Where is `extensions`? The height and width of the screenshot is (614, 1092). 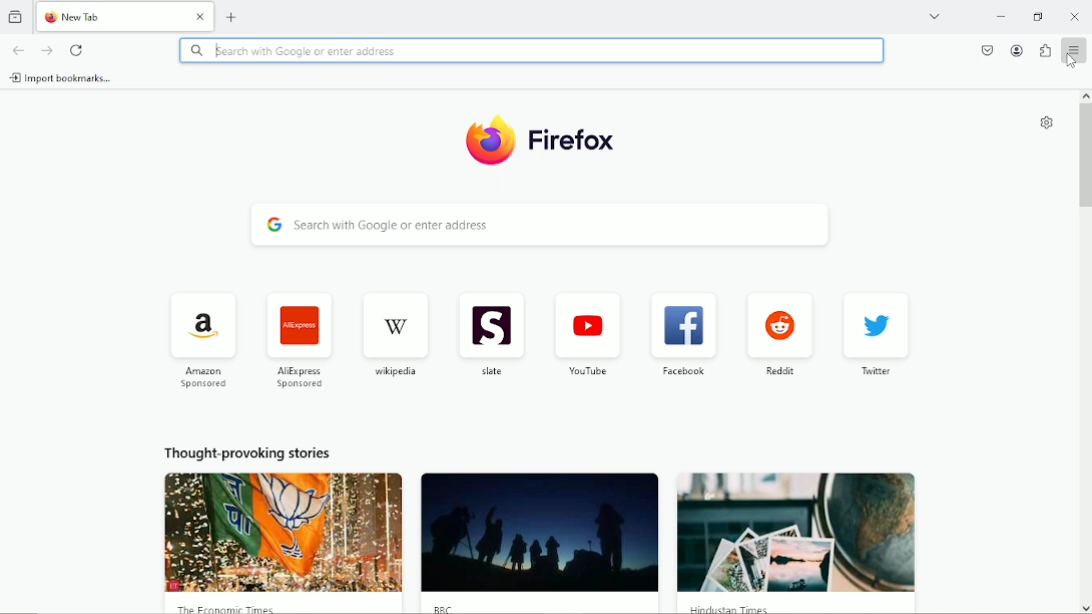 extensions is located at coordinates (1044, 50).